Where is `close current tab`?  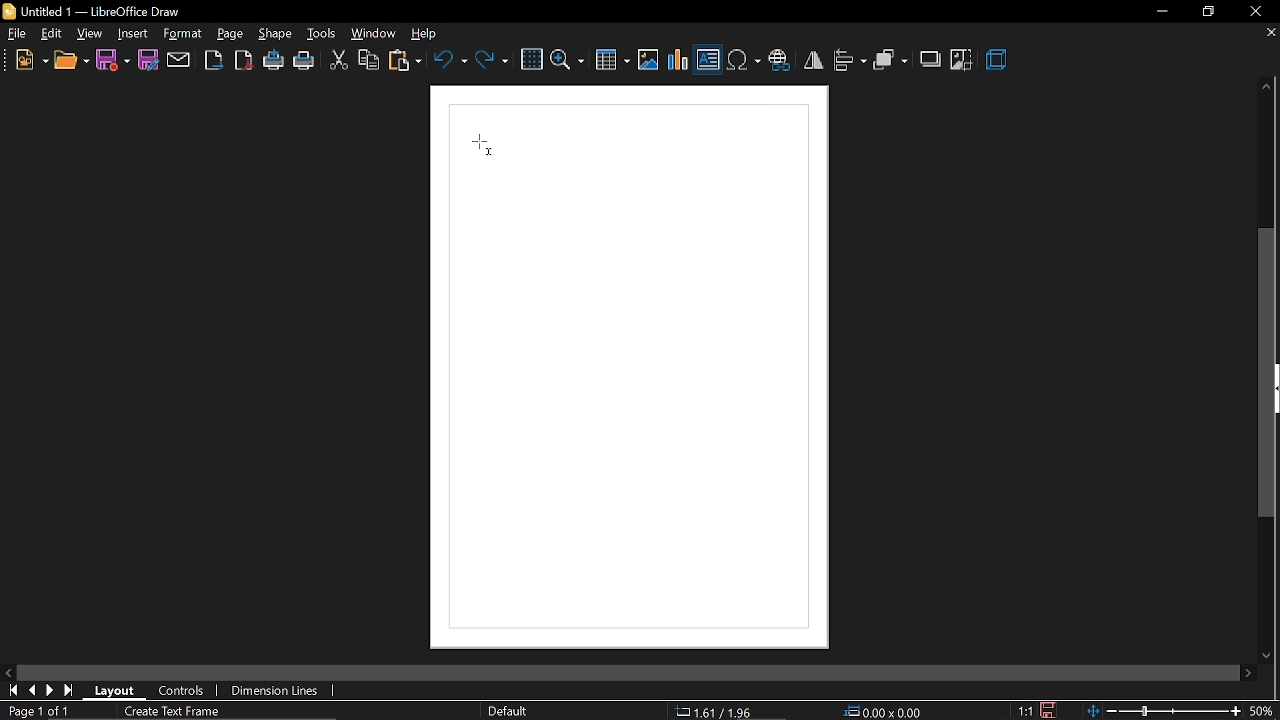 close current tab is located at coordinates (1265, 33).